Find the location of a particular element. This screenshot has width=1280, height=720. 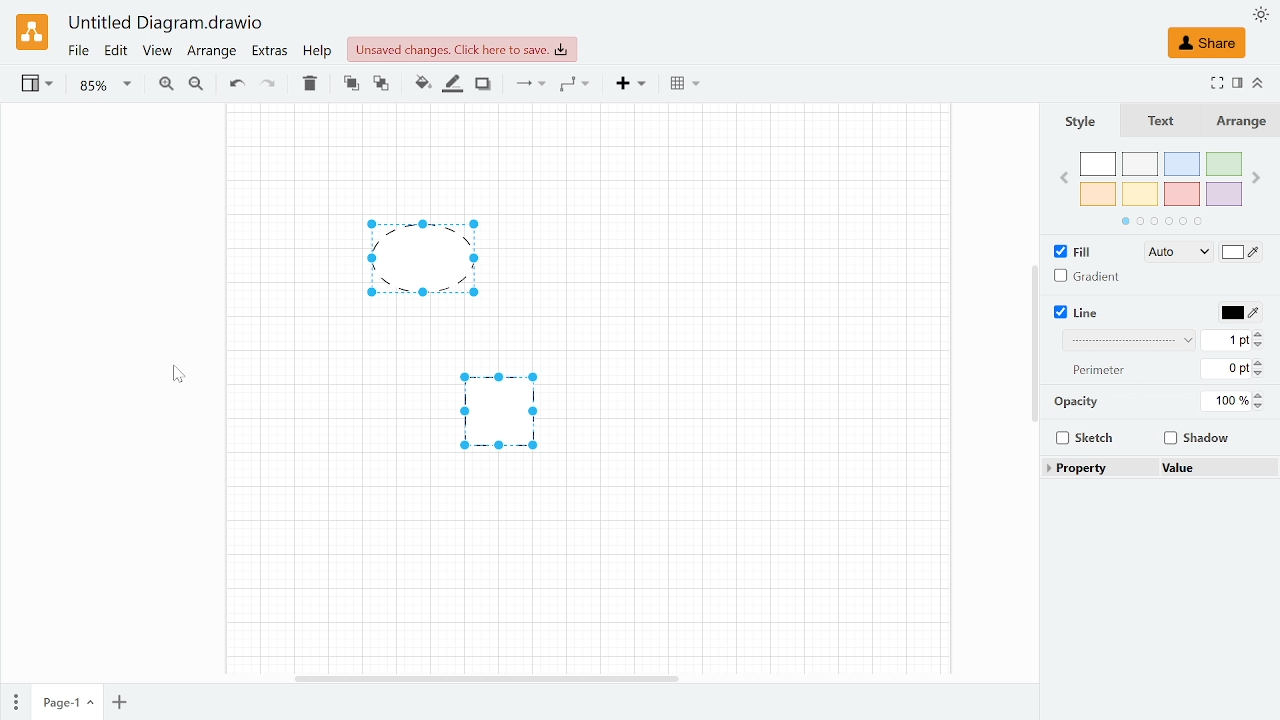

Gradient is located at coordinates (1093, 277).